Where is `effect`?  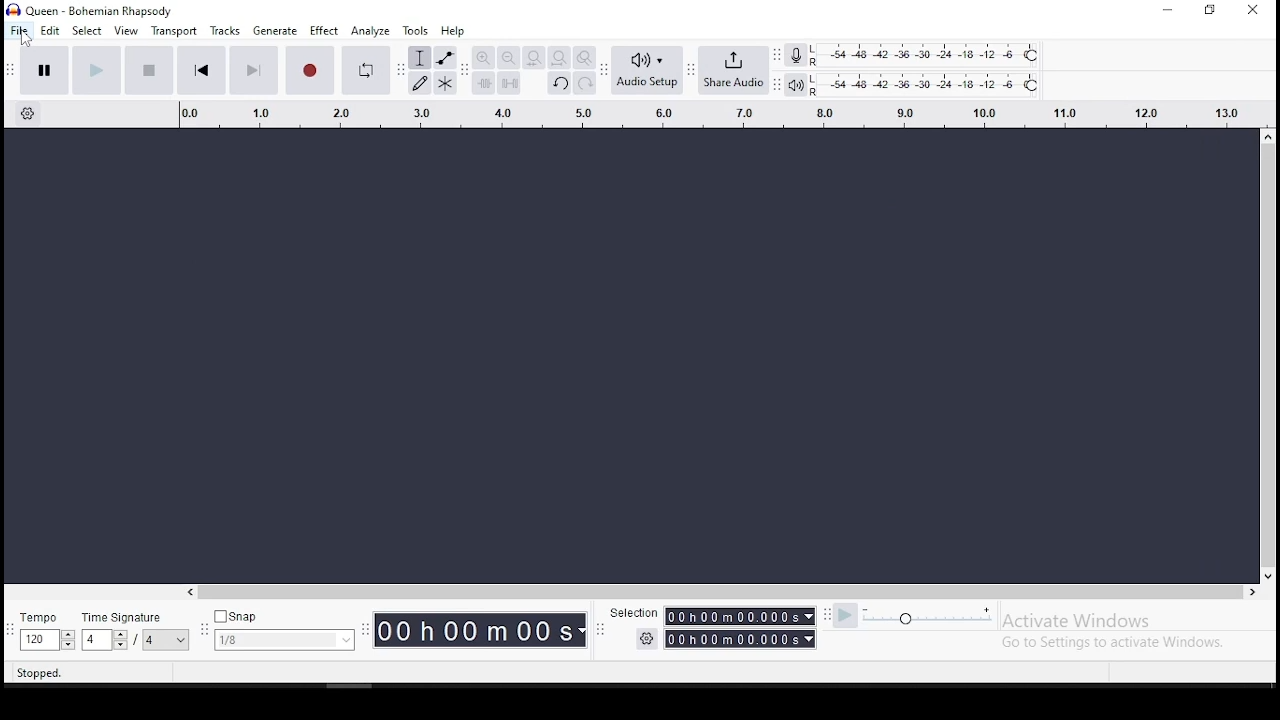
effect is located at coordinates (324, 31).